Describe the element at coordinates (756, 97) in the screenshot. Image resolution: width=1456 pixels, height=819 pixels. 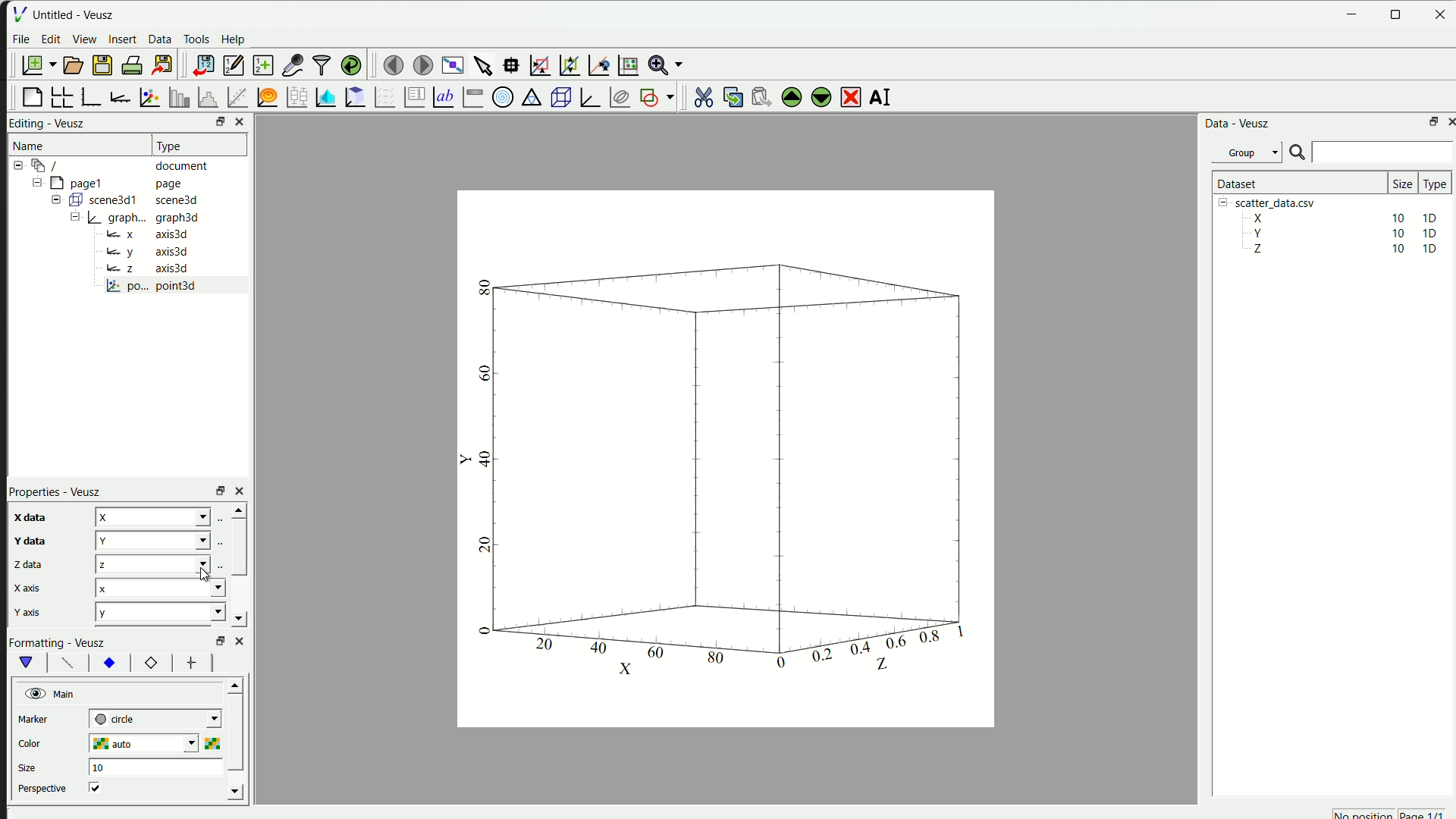
I see `paste the widget from the clipboard` at that location.